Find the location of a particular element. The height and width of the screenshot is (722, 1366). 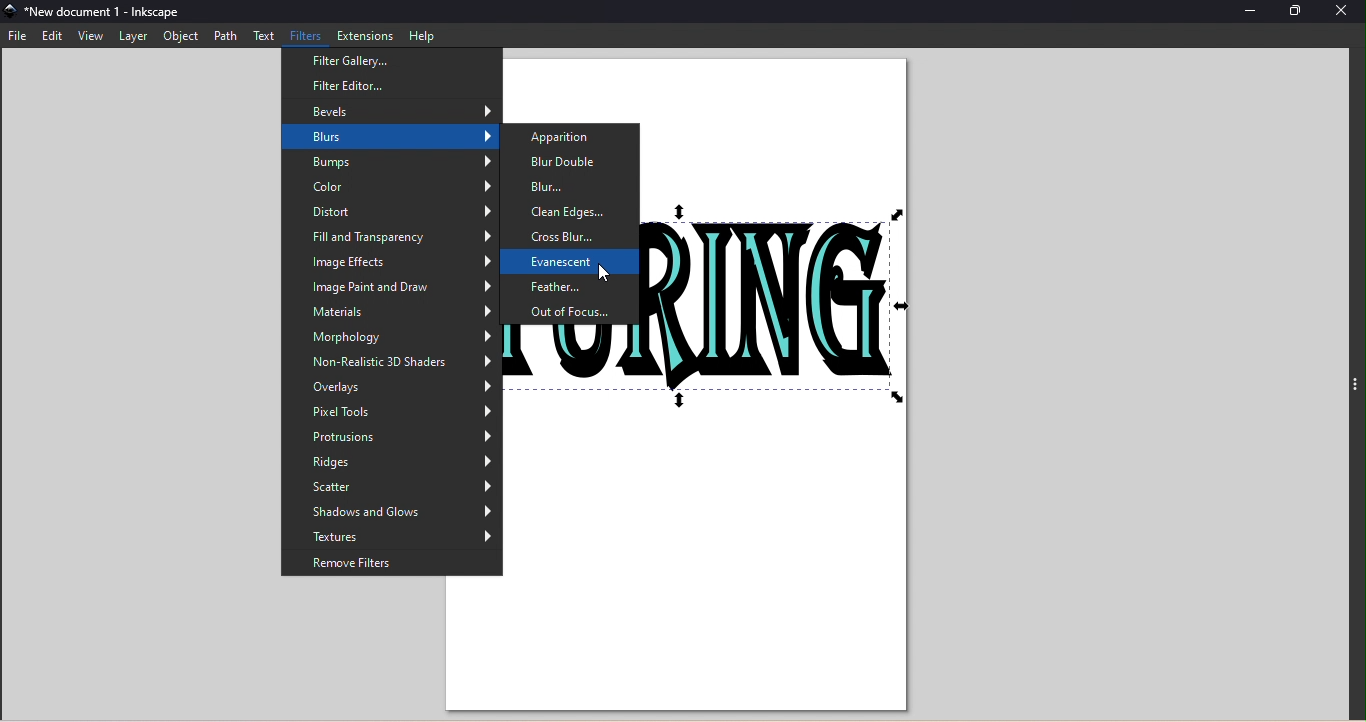

Maximize is located at coordinates (1301, 12).